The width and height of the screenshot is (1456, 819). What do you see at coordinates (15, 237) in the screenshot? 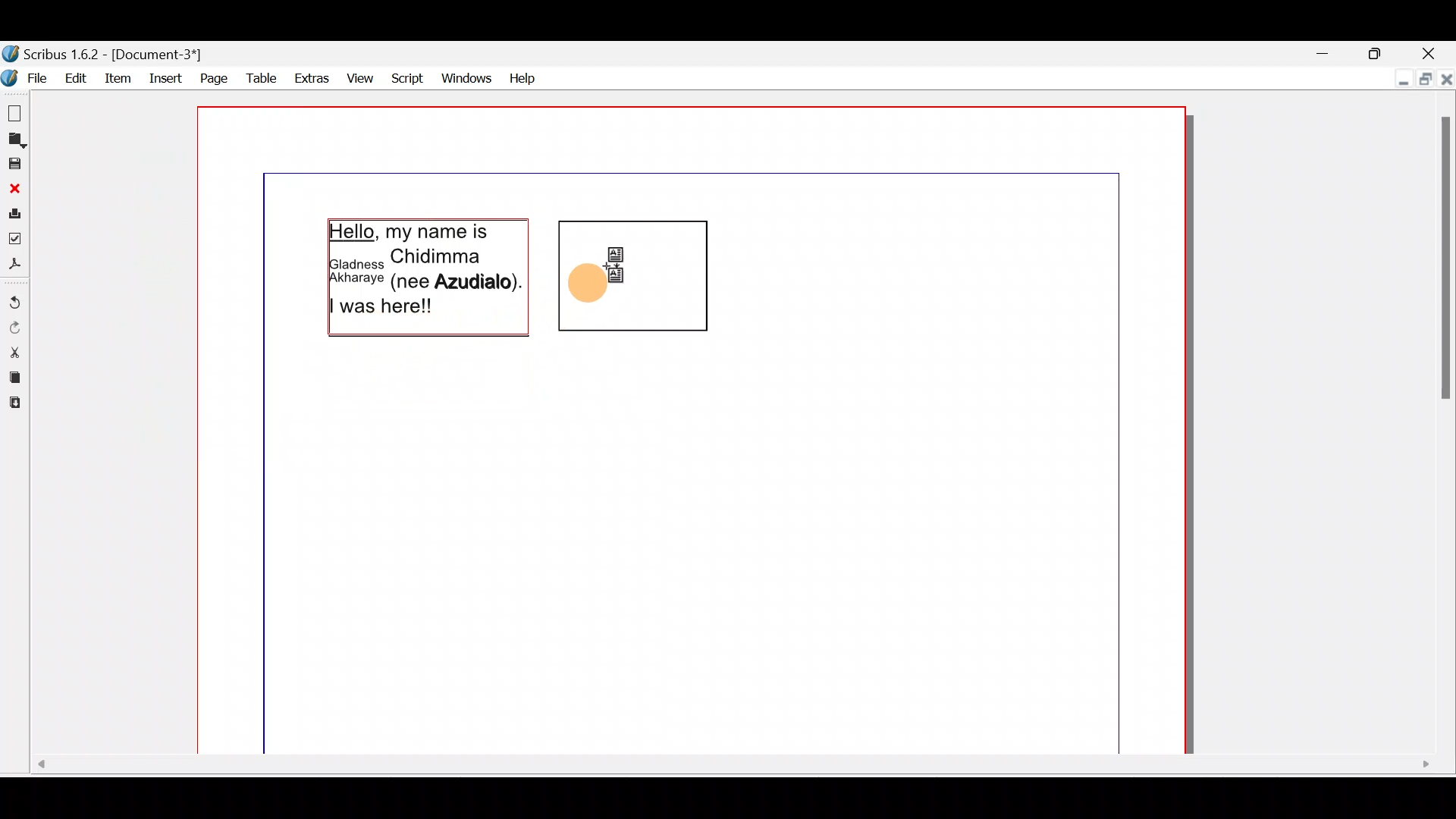
I see `Preflight verifier` at bounding box center [15, 237].